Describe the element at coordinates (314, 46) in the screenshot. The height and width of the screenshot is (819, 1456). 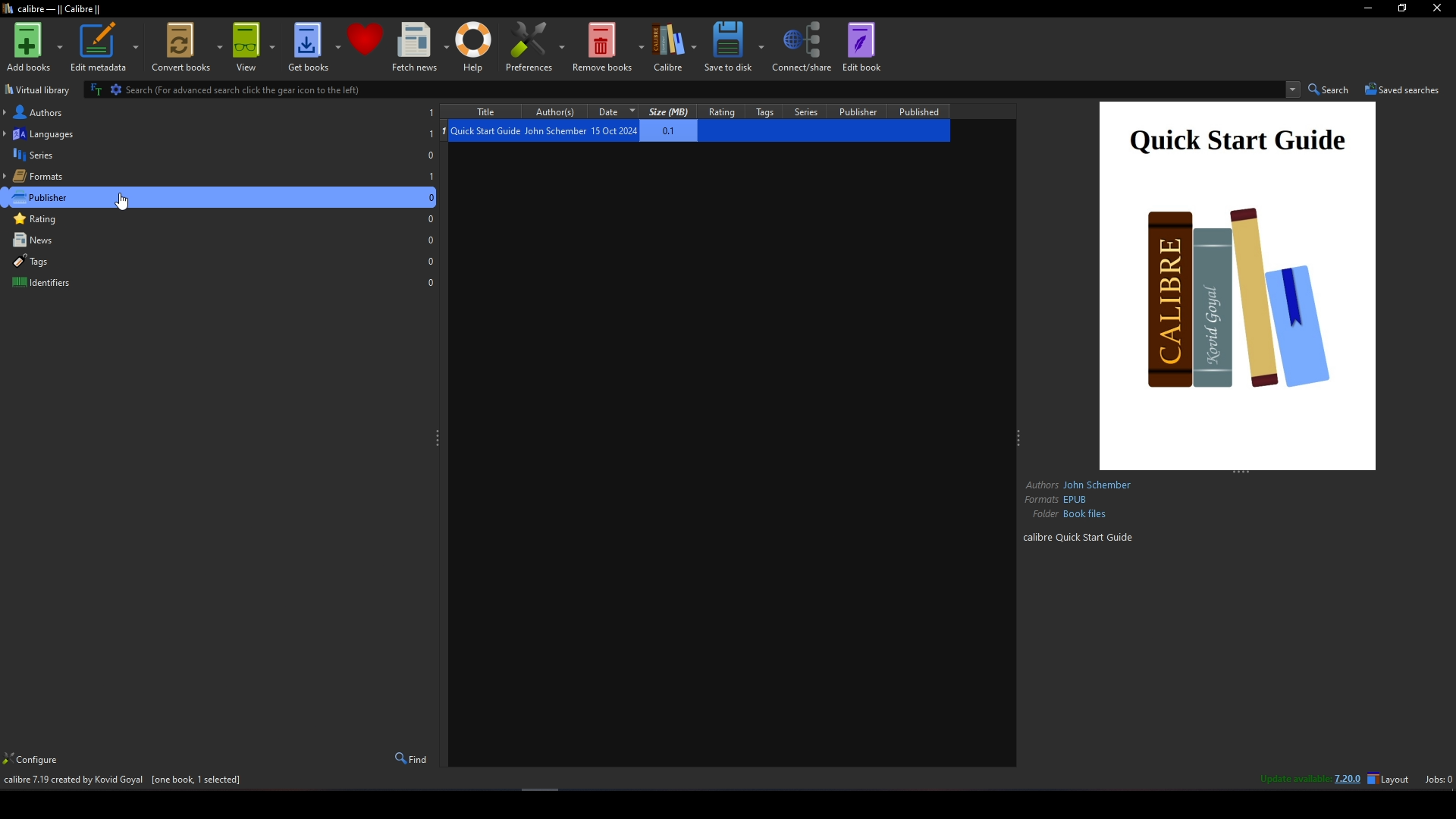
I see `Get books` at that location.